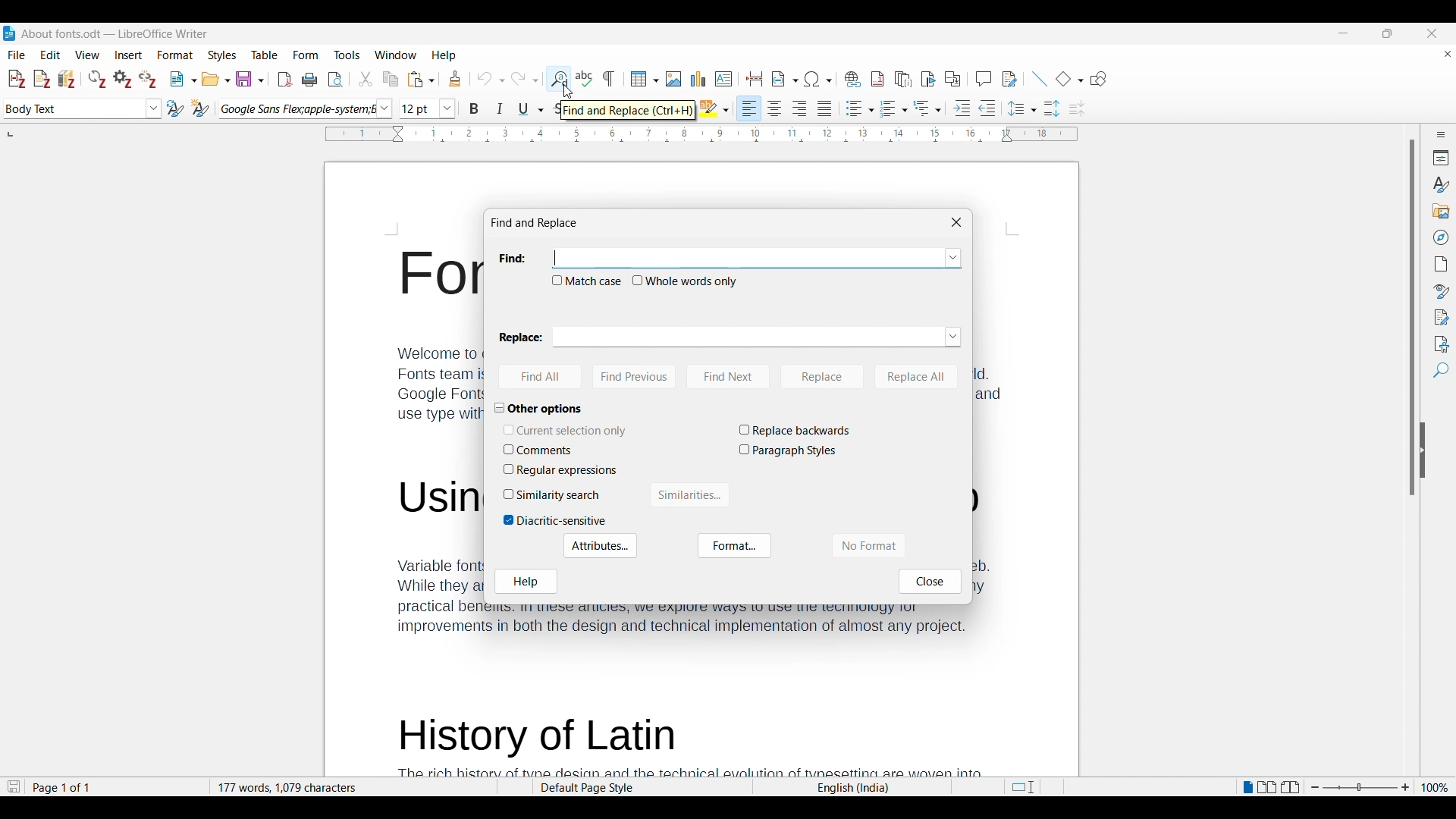  What do you see at coordinates (1439, 318) in the screenshot?
I see `Manage changes` at bounding box center [1439, 318].